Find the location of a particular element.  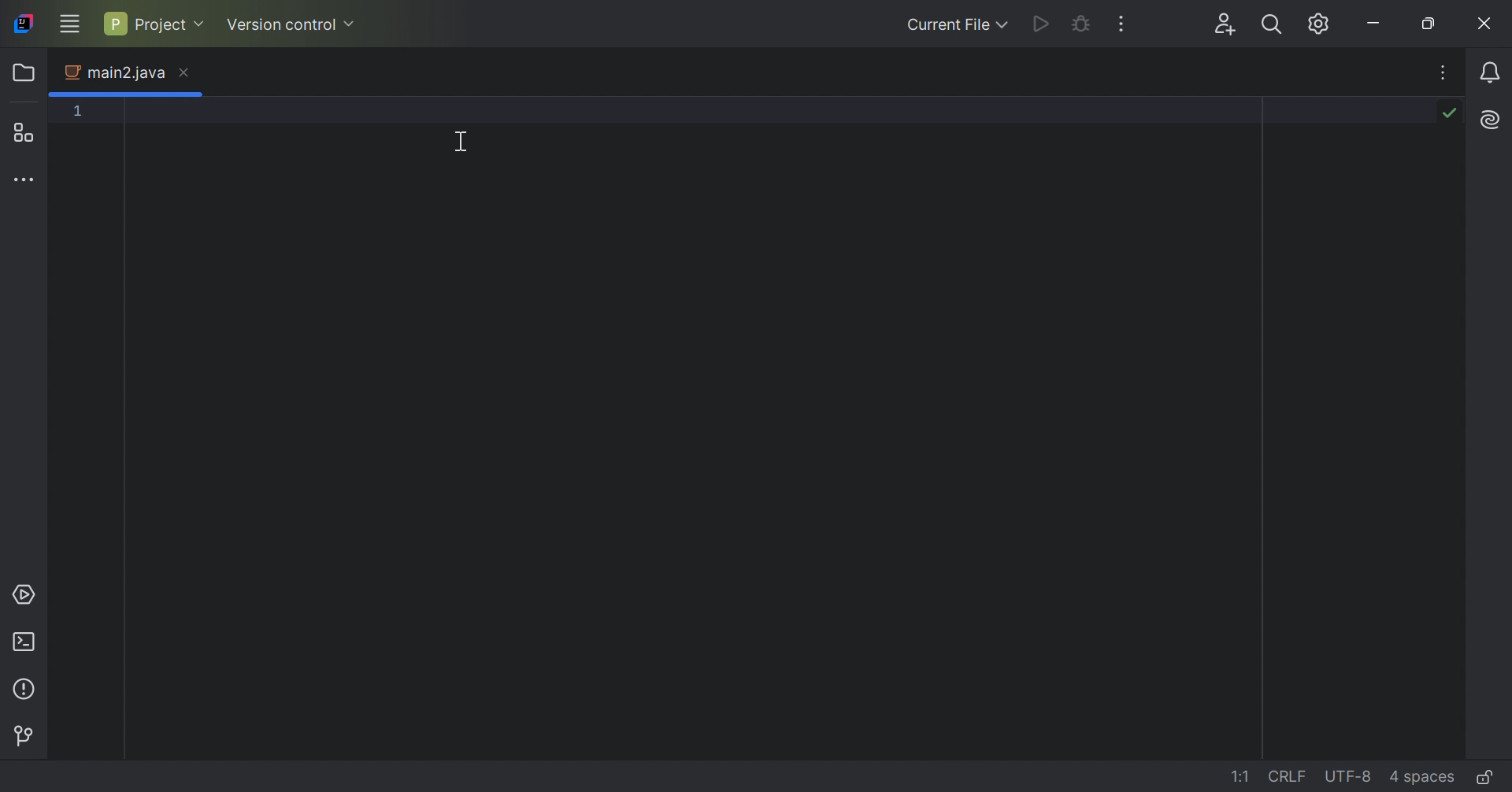

No problems found is located at coordinates (1451, 116).